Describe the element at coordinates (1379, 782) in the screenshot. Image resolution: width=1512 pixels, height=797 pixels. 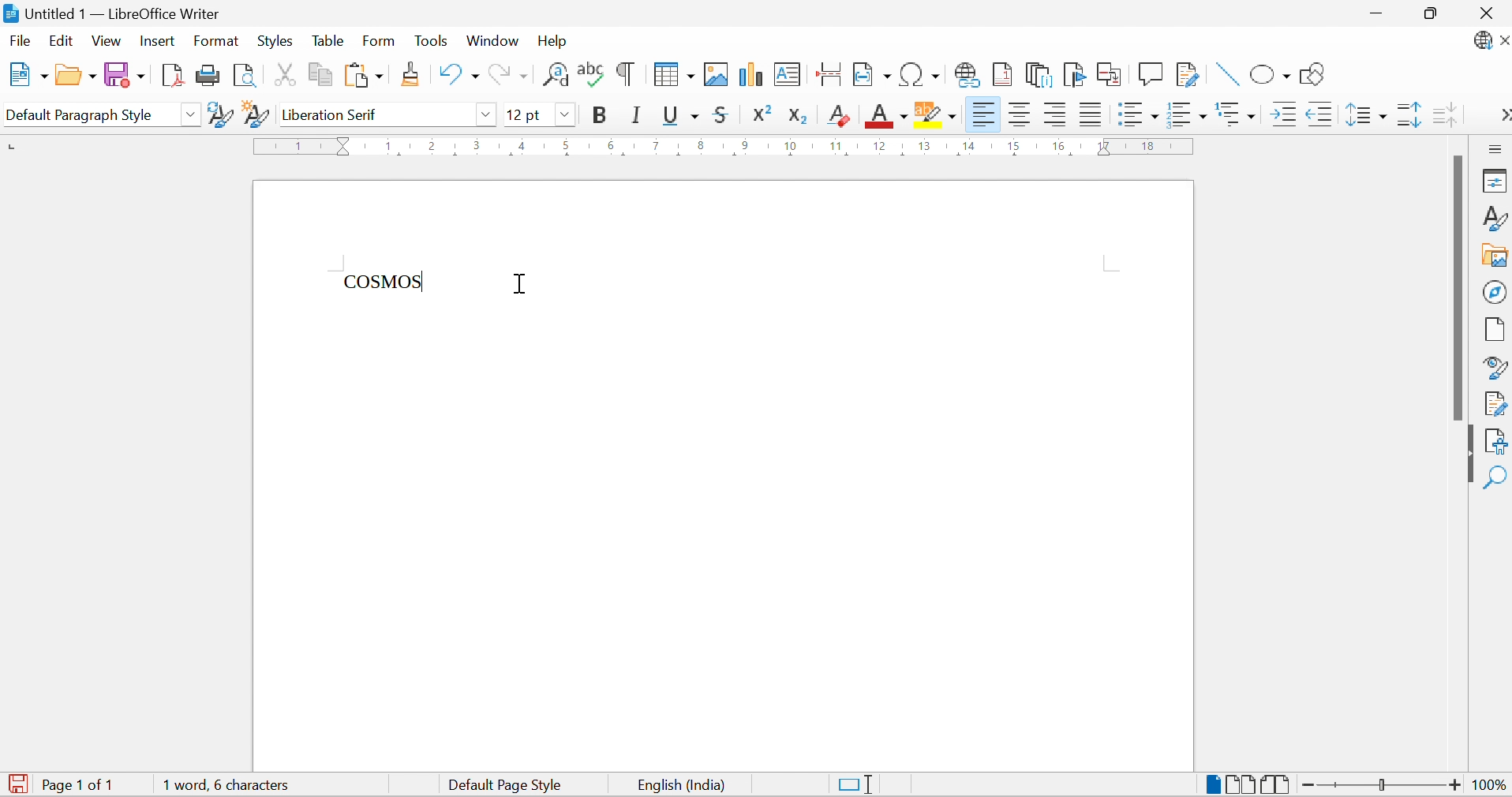
I see `Slider` at that location.